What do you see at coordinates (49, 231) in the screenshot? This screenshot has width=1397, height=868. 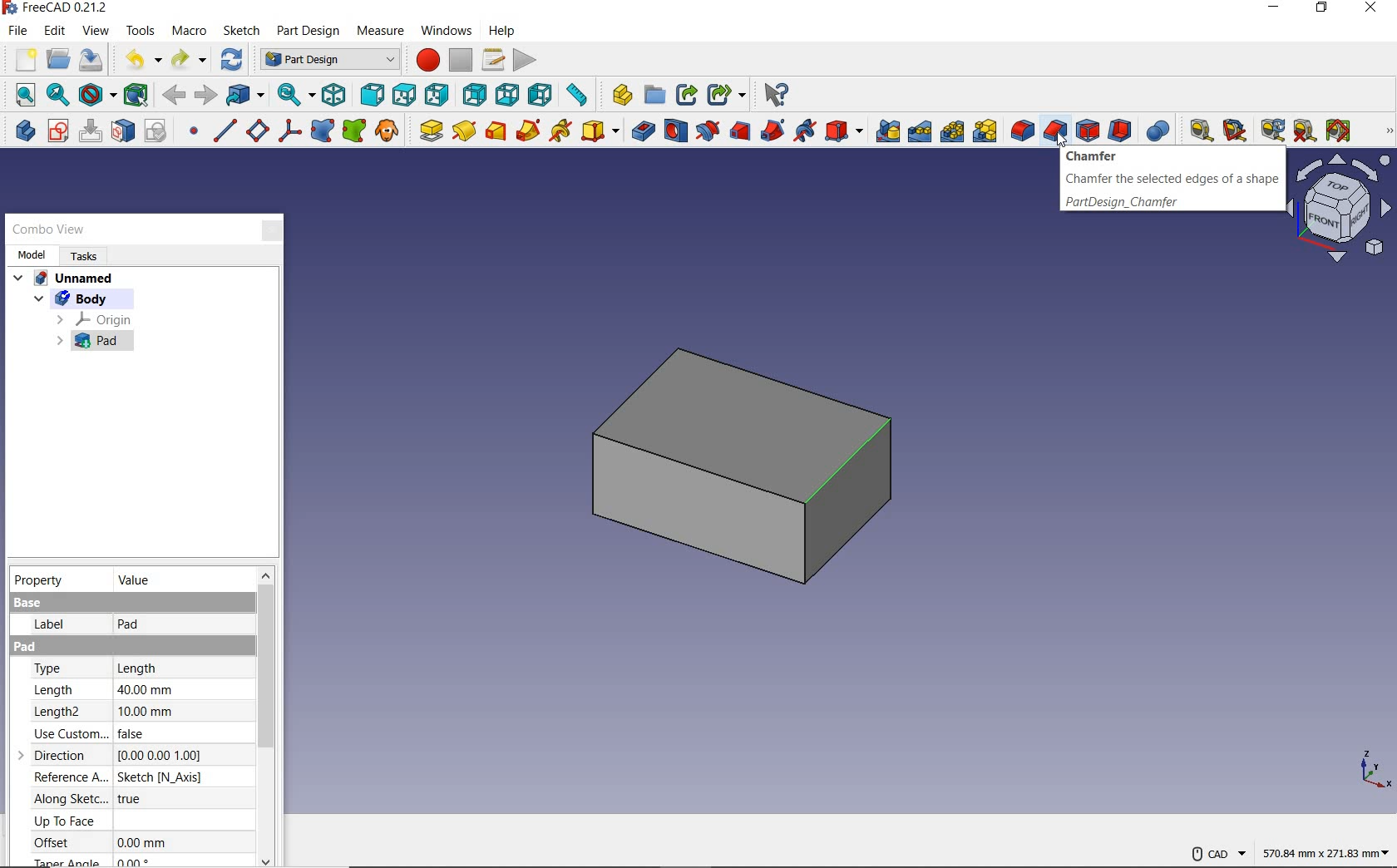 I see `combo view` at bounding box center [49, 231].